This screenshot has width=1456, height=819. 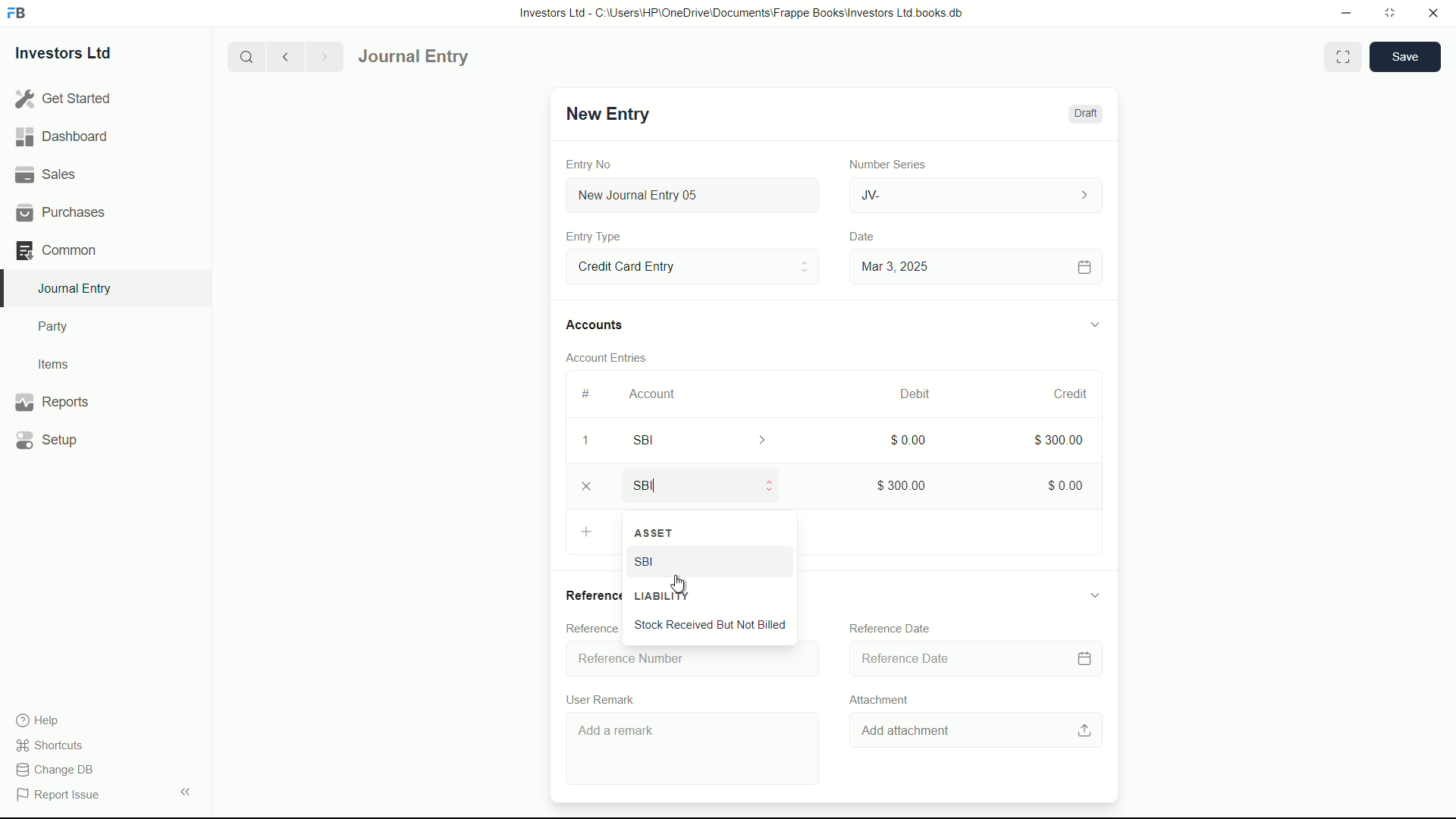 What do you see at coordinates (1342, 11) in the screenshot?
I see `minimize` at bounding box center [1342, 11].